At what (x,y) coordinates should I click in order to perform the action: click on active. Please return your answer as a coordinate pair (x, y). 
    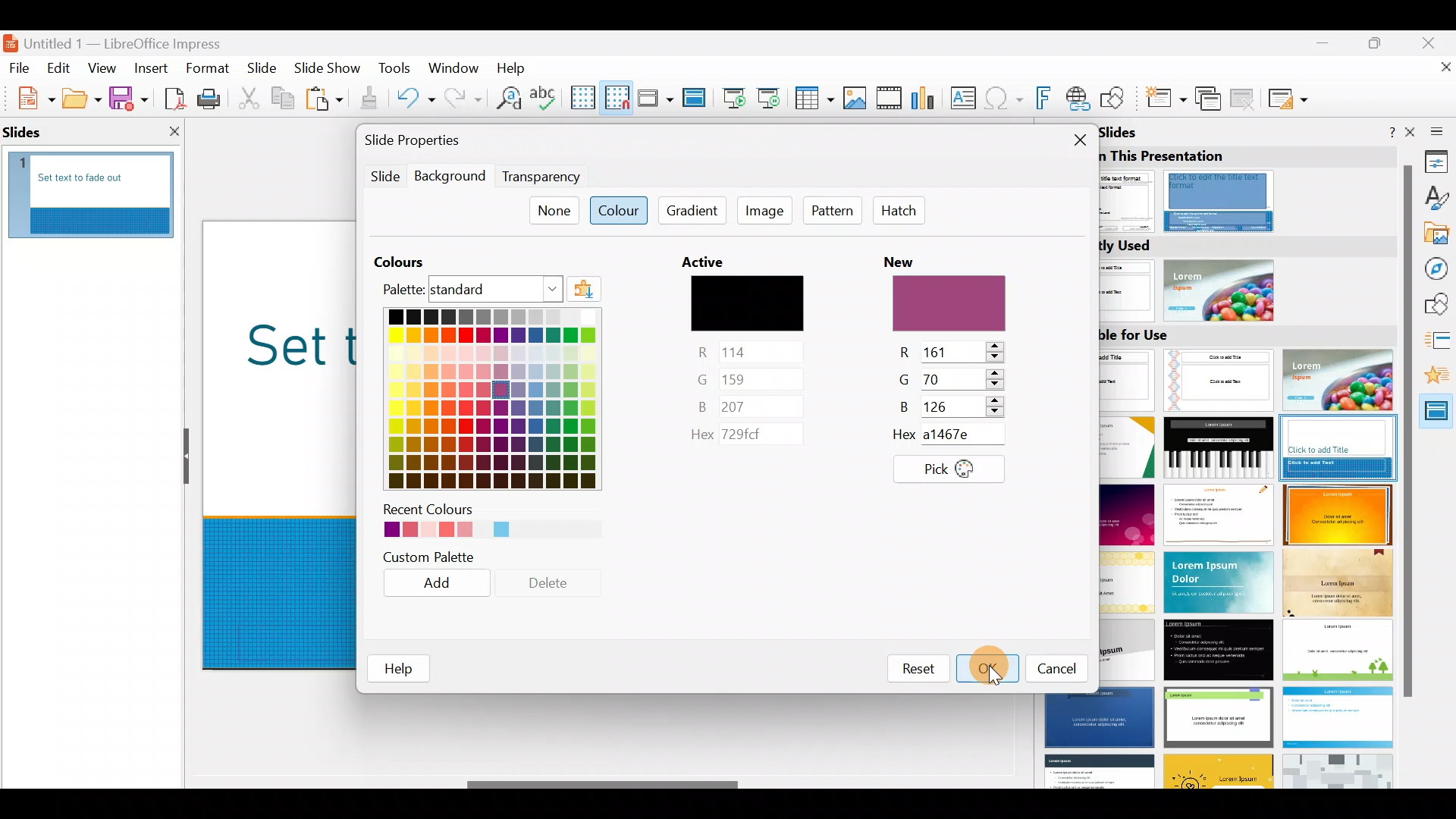
    Looking at the image, I should click on (710, 261).